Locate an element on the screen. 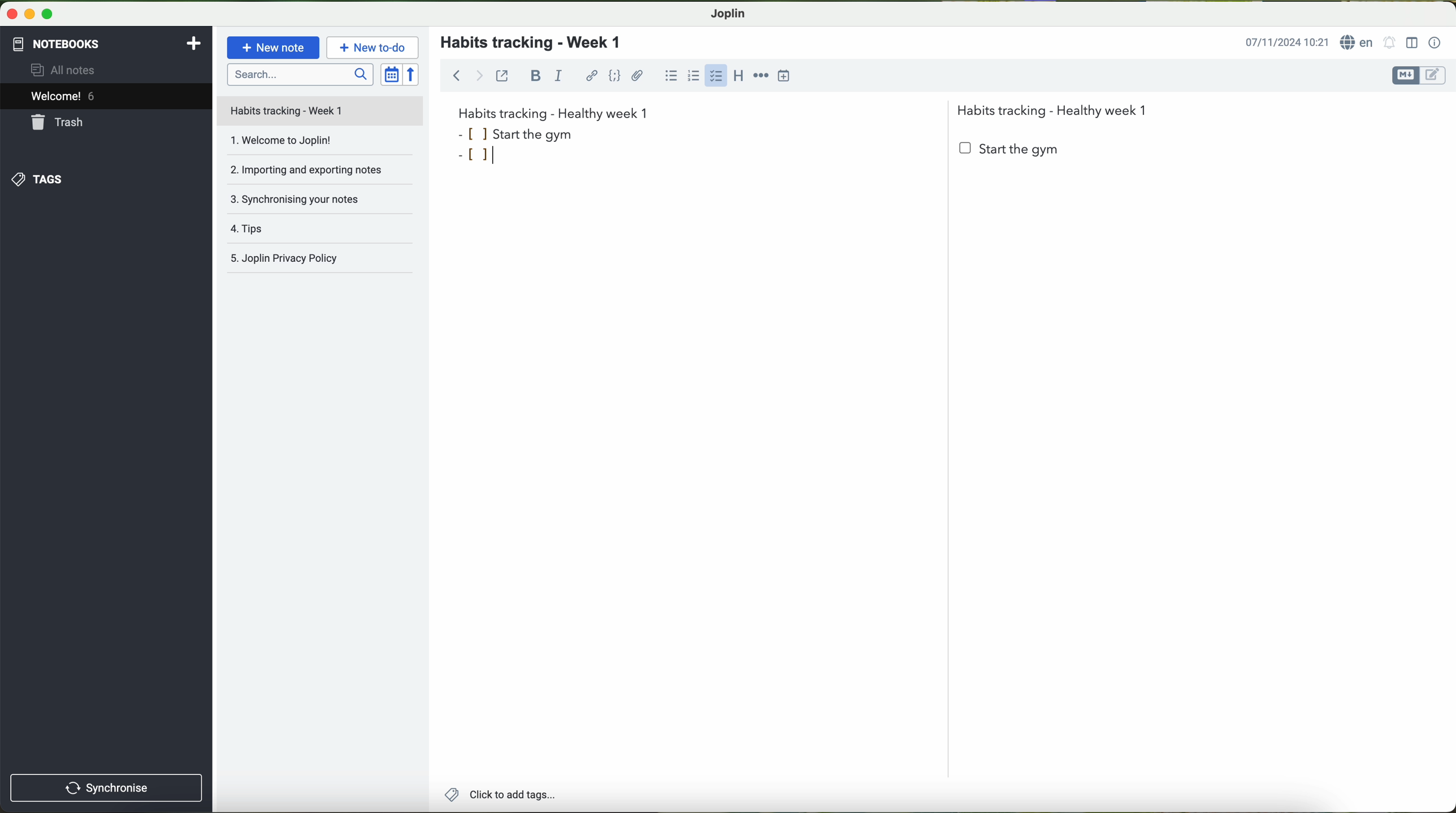  bold is located at coordinates (536, 76).